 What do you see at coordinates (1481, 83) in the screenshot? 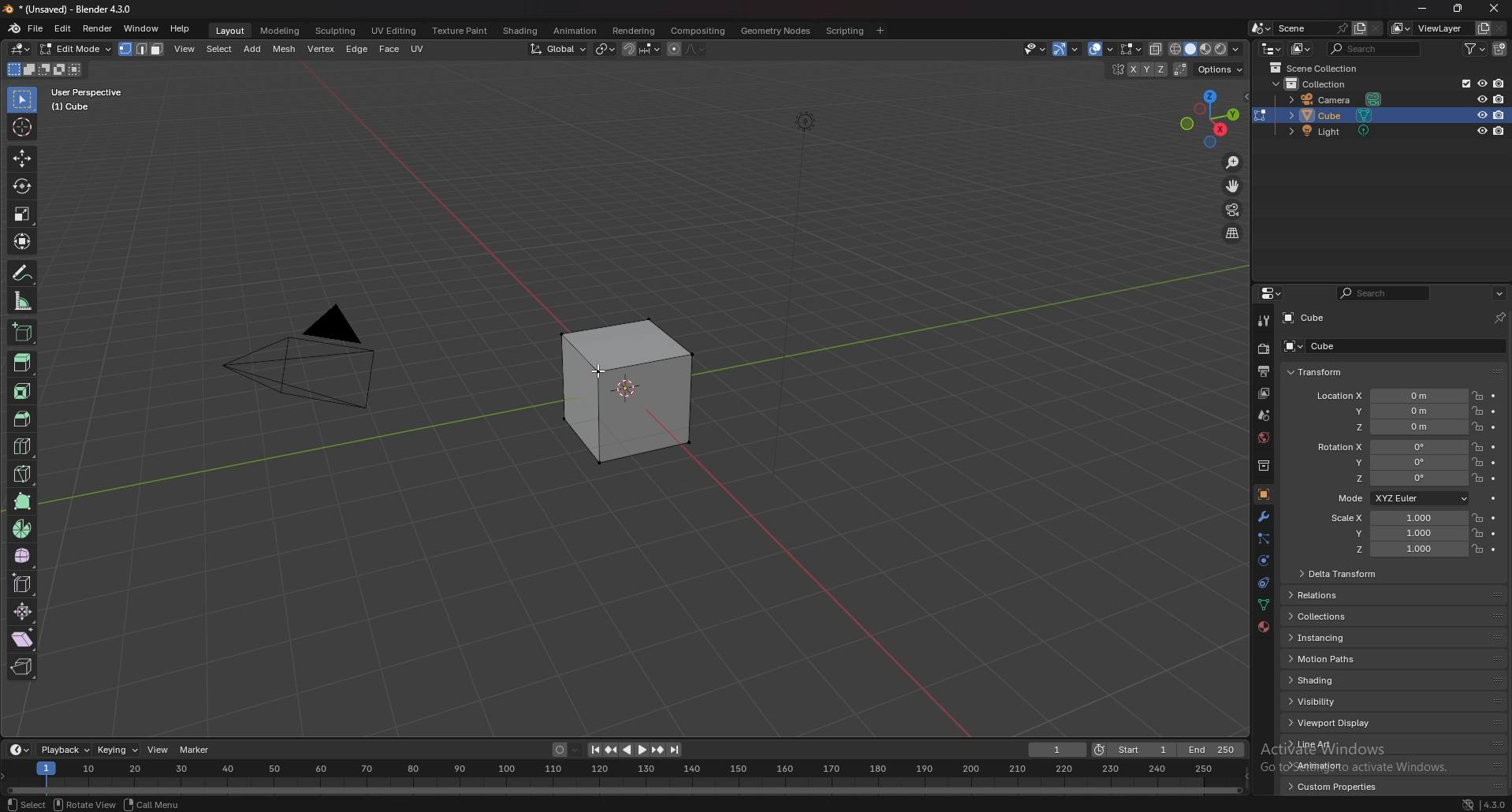
I see `hide in viewport` at bounding box center [1481, 83].